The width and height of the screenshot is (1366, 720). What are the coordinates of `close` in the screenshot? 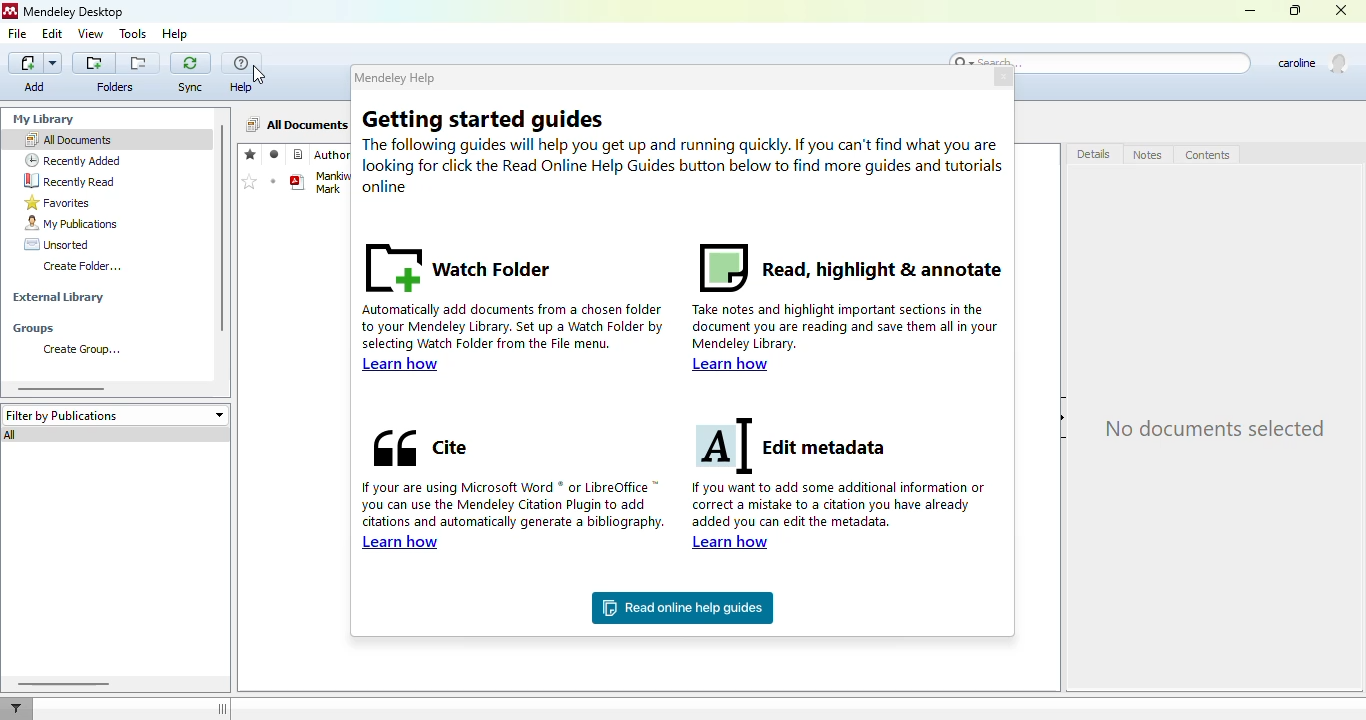 It's located at (1340, 11).